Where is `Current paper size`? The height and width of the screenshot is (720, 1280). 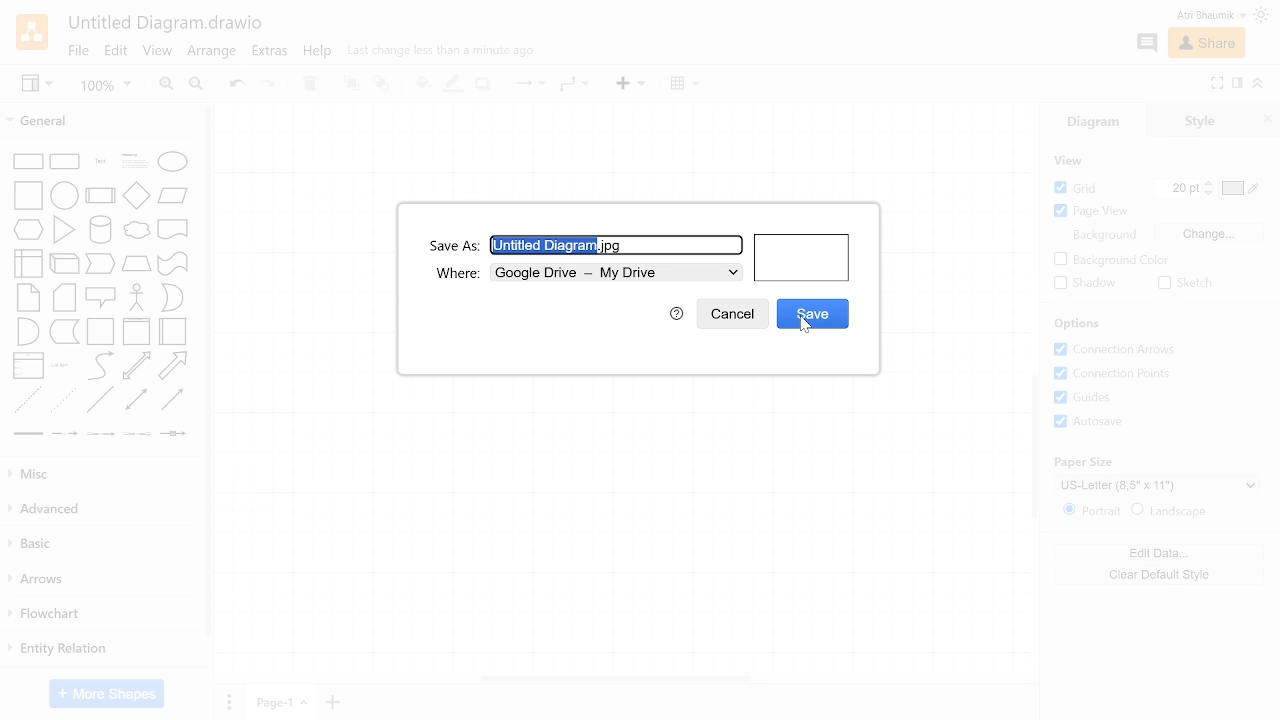 Current paper size is located at coordinates (1160, 485).